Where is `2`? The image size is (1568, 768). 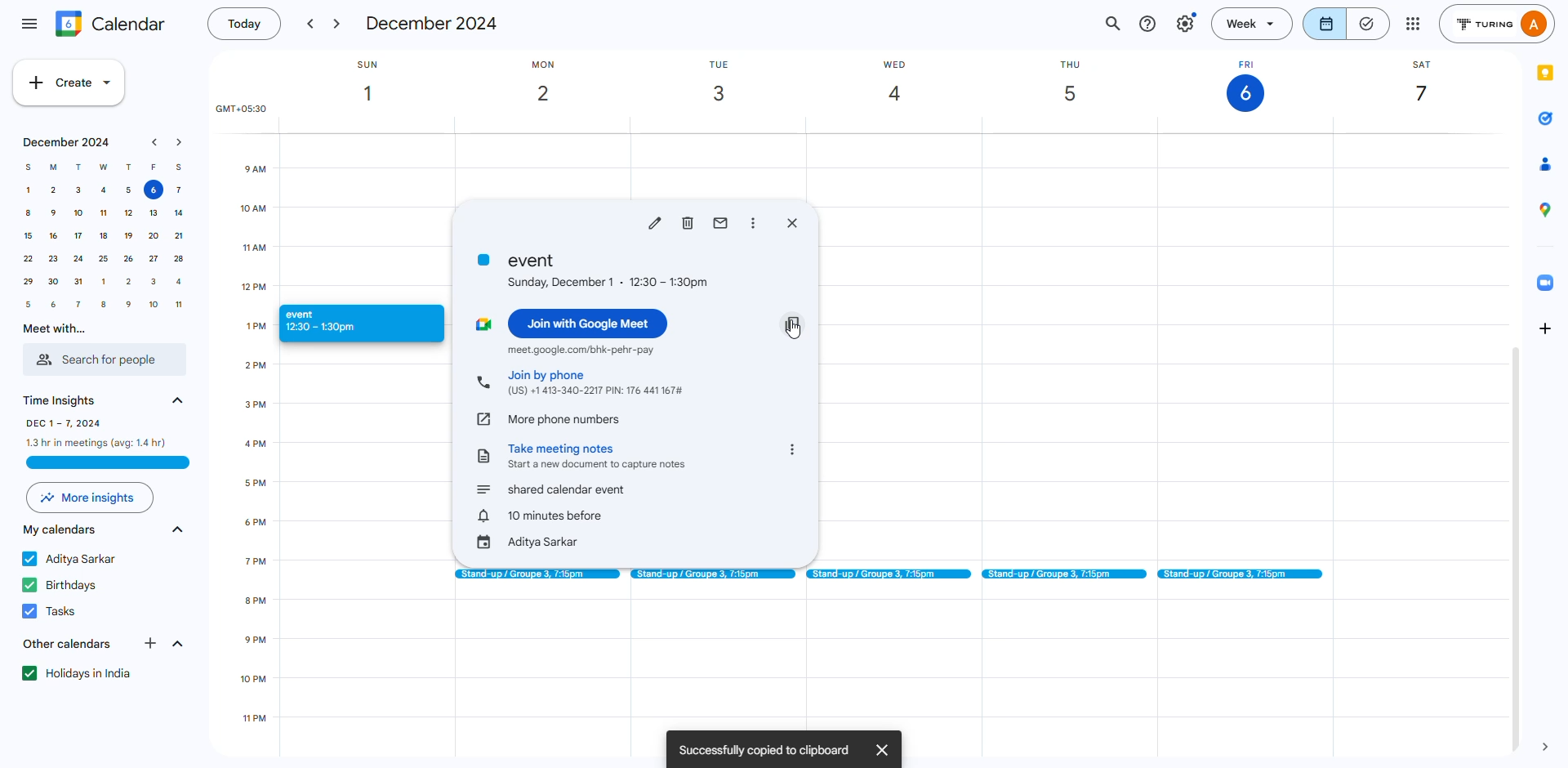
2 is located at coordinates (129, 282).